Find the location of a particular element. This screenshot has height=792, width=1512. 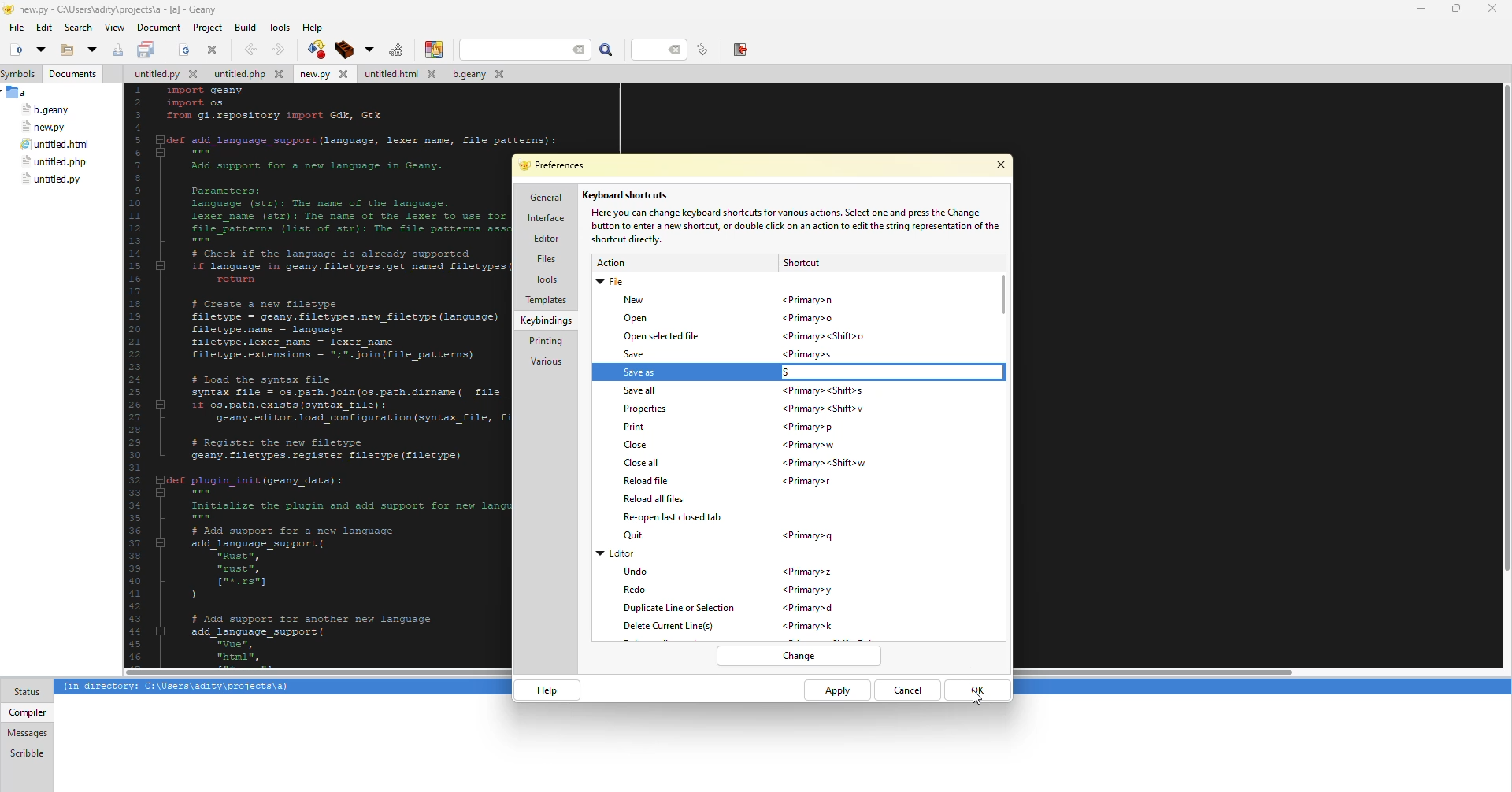

shortcut is located at coordinates (807, 573).